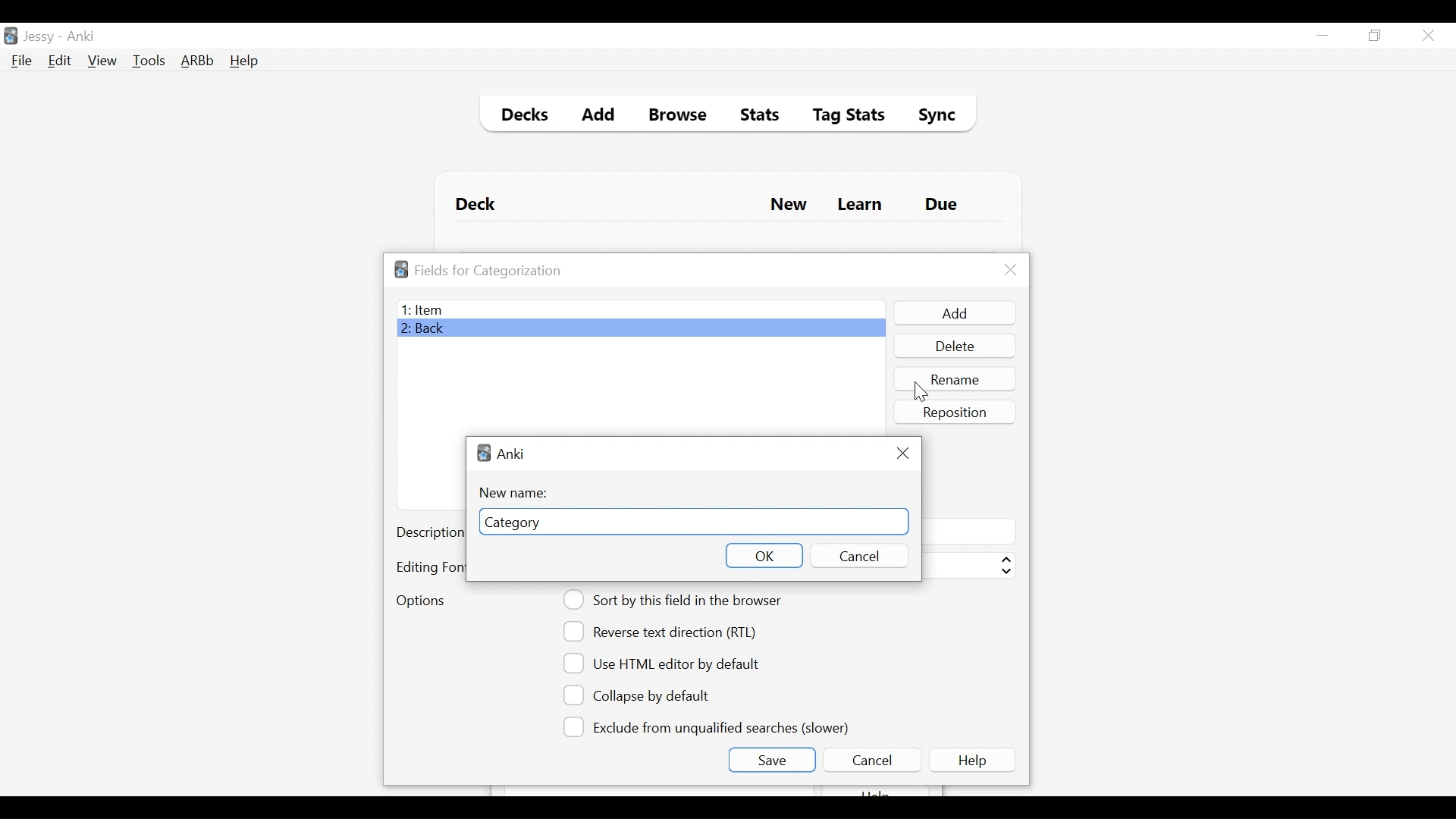  What do you see at coordinates (511, 453) in the screenshot?
I see `Anki` at bounding box center [511, 453].